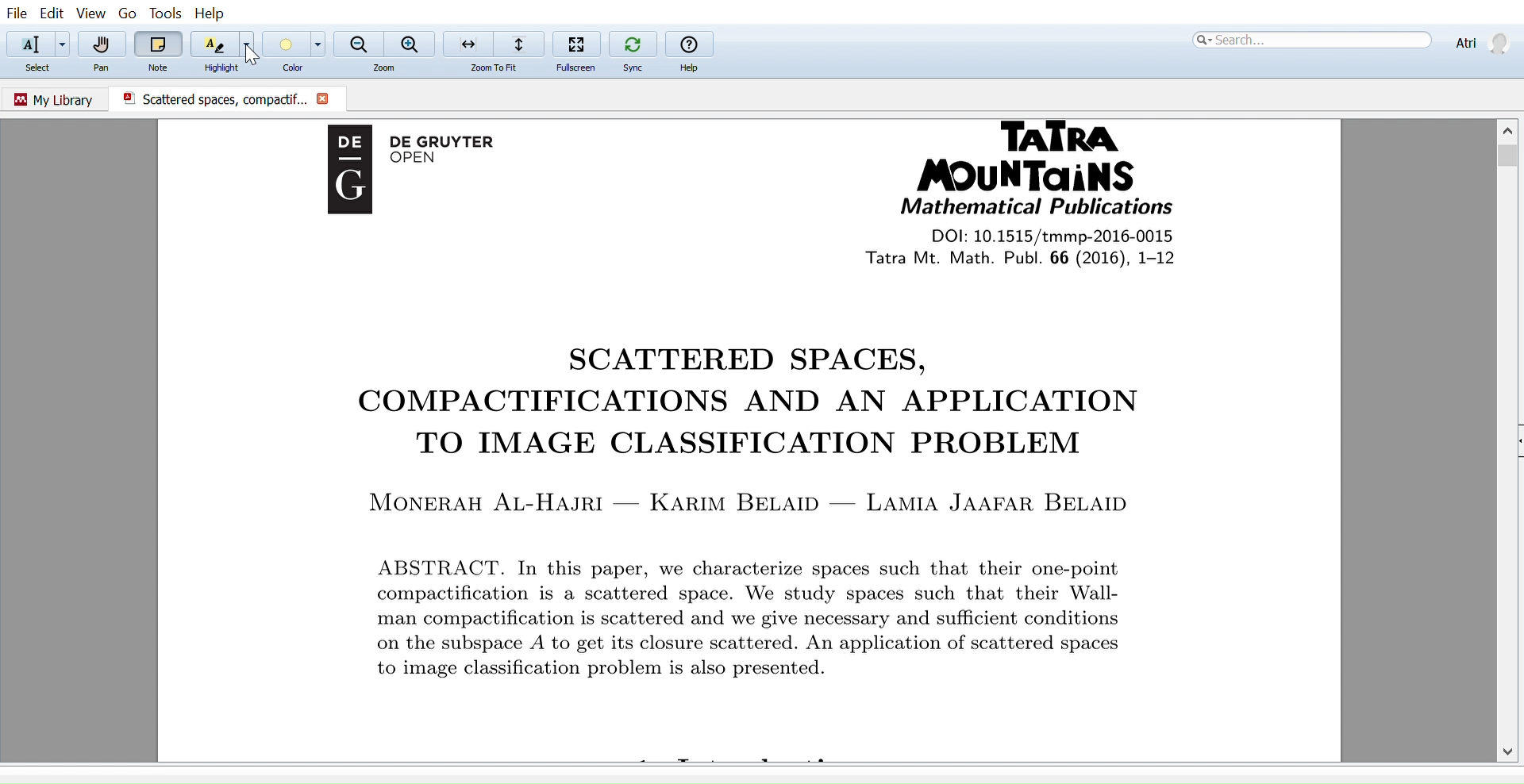 This screenshot has width=1524, height=784. Describe the element at coordinates (1510, 158) in the screenshot. I see `Vertical scrollbar` at that location.